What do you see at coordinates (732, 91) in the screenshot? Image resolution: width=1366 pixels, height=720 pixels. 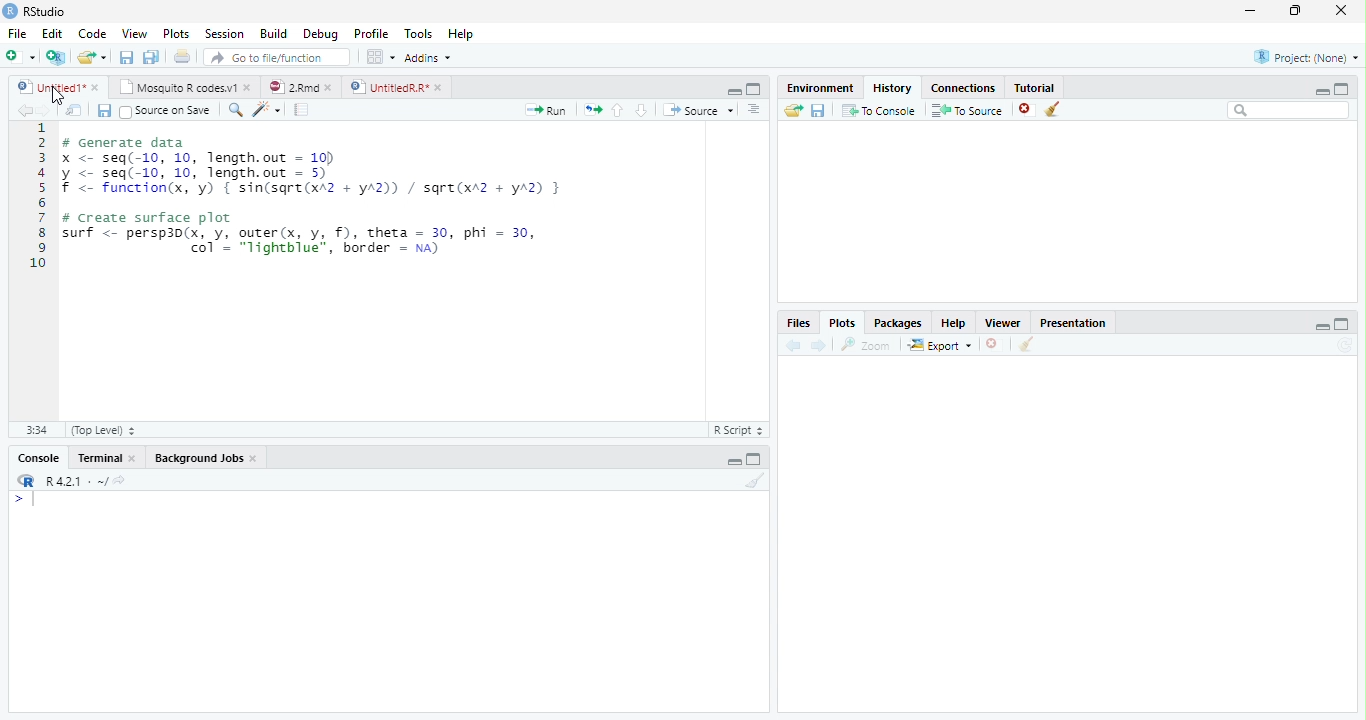 I see `Minimize` at bounding box center [732, 91].